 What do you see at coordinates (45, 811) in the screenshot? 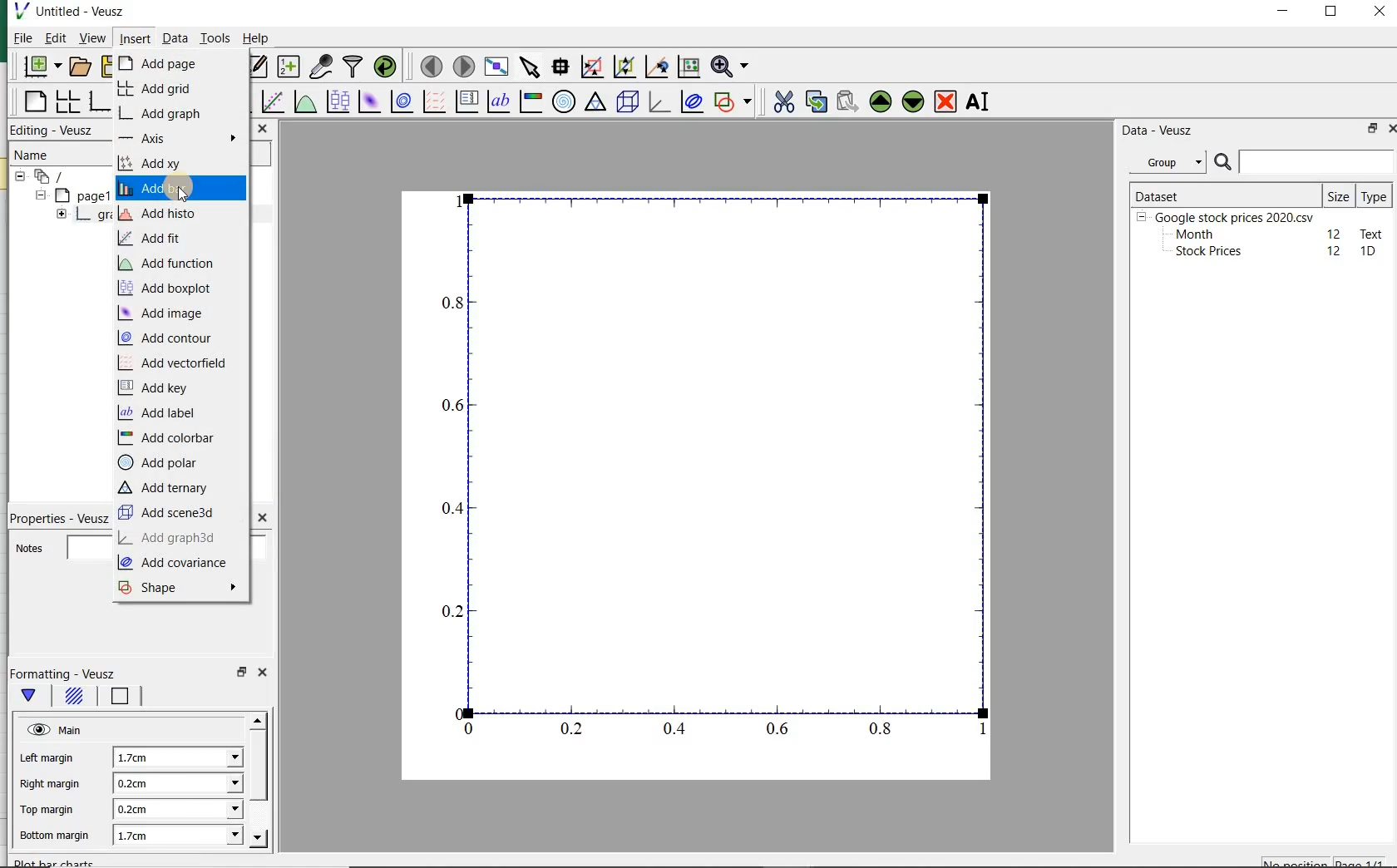
I see `top margin` at bounding box center [45, 811].